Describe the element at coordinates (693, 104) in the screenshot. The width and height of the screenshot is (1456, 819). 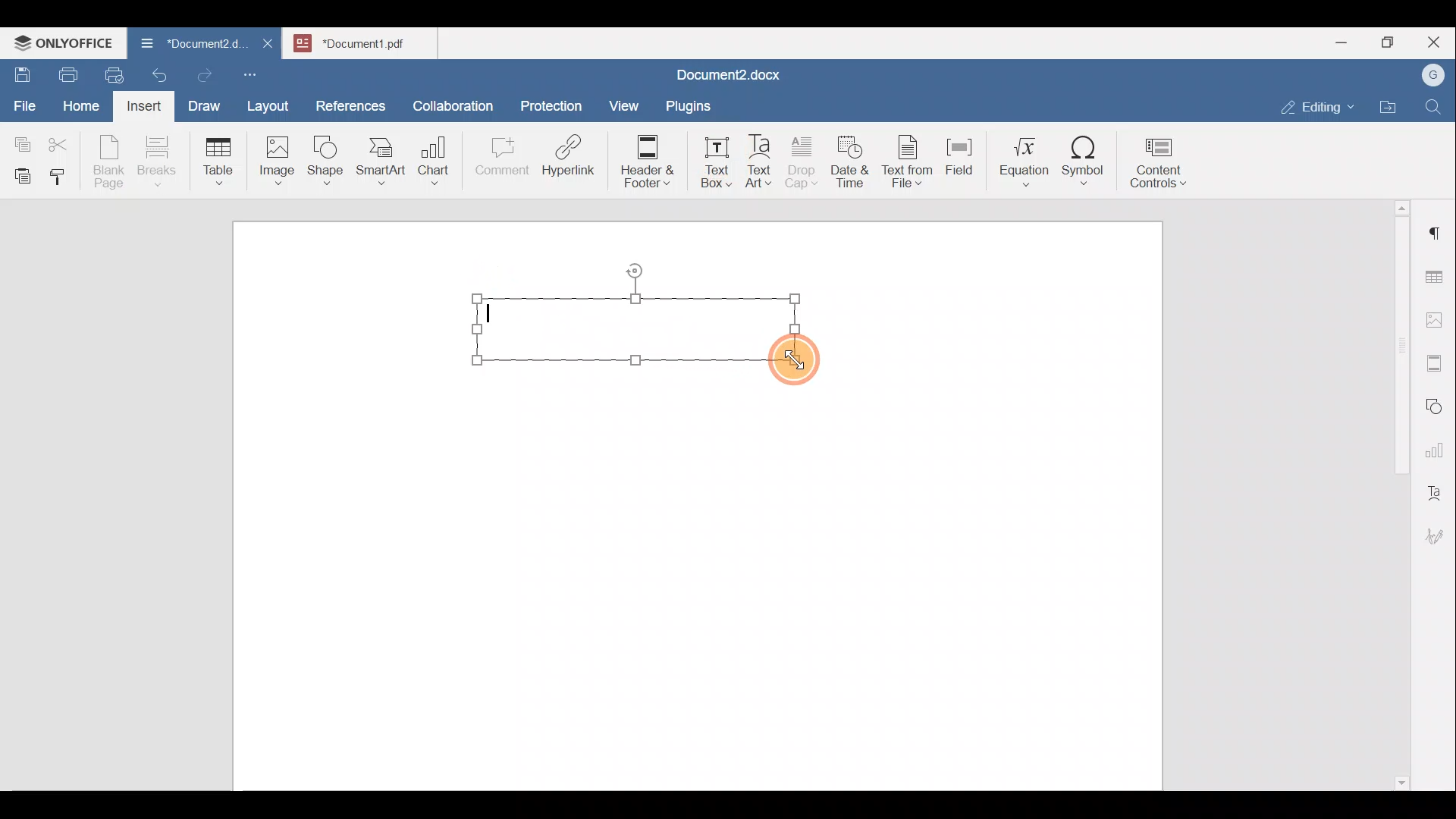
I see `Plugins` at that location.